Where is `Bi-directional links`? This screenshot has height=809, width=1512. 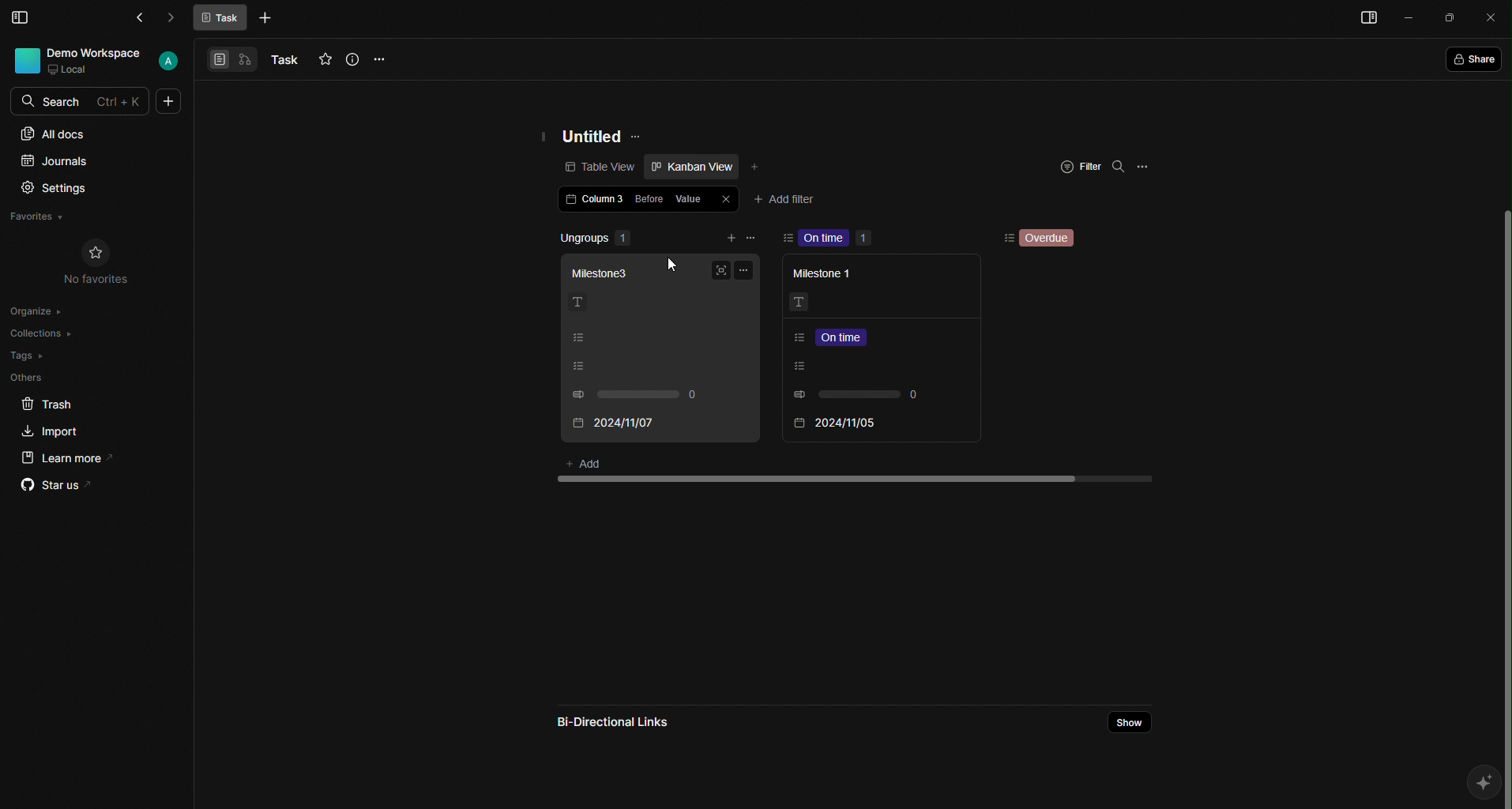
Bi-directional links is located at coordinates (615, 718).